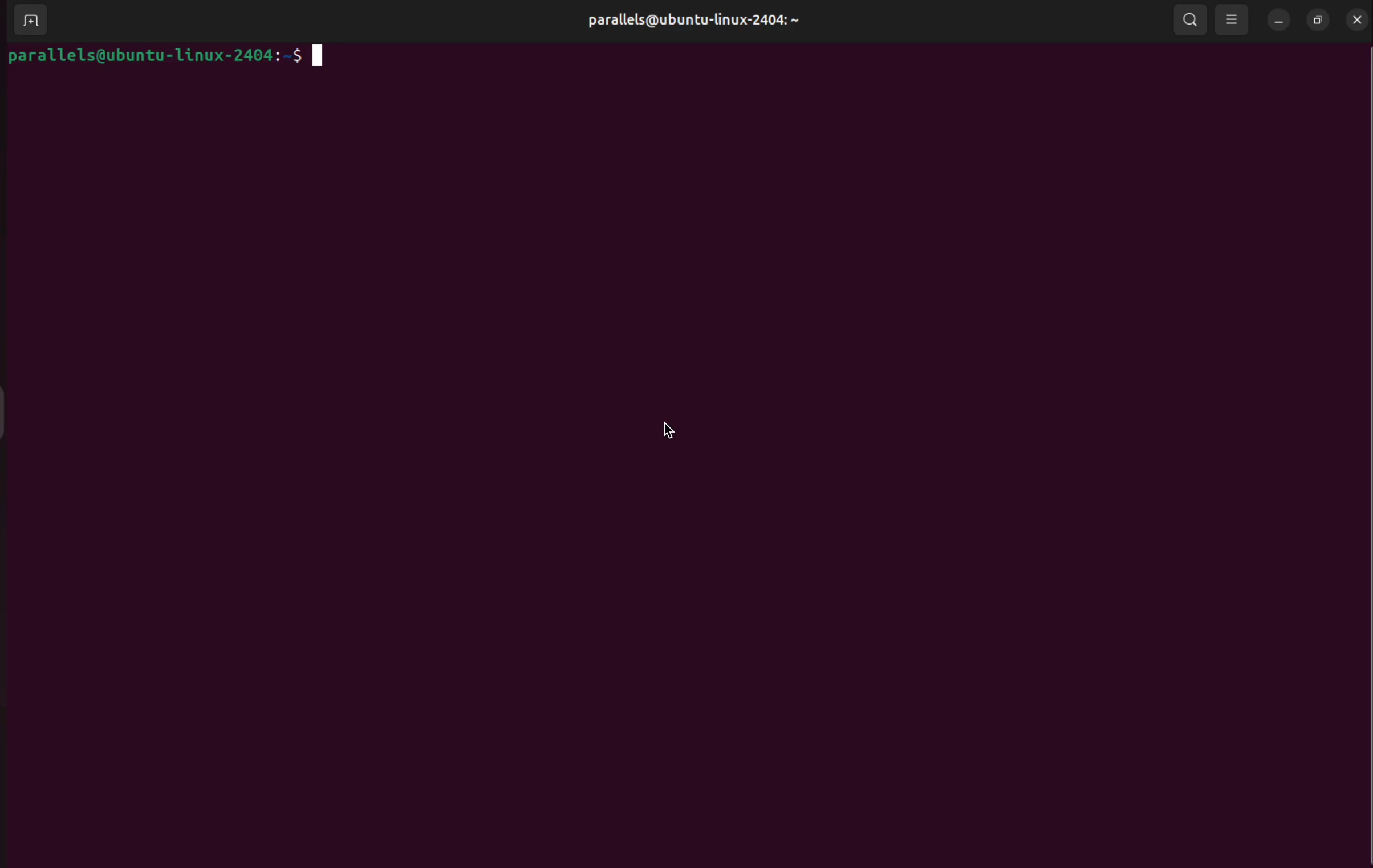 The image size is (1373, 868). What do you see at coordinates (1356, 19) in the screenshot?
I see `close` at bounding box center [1356, 19].